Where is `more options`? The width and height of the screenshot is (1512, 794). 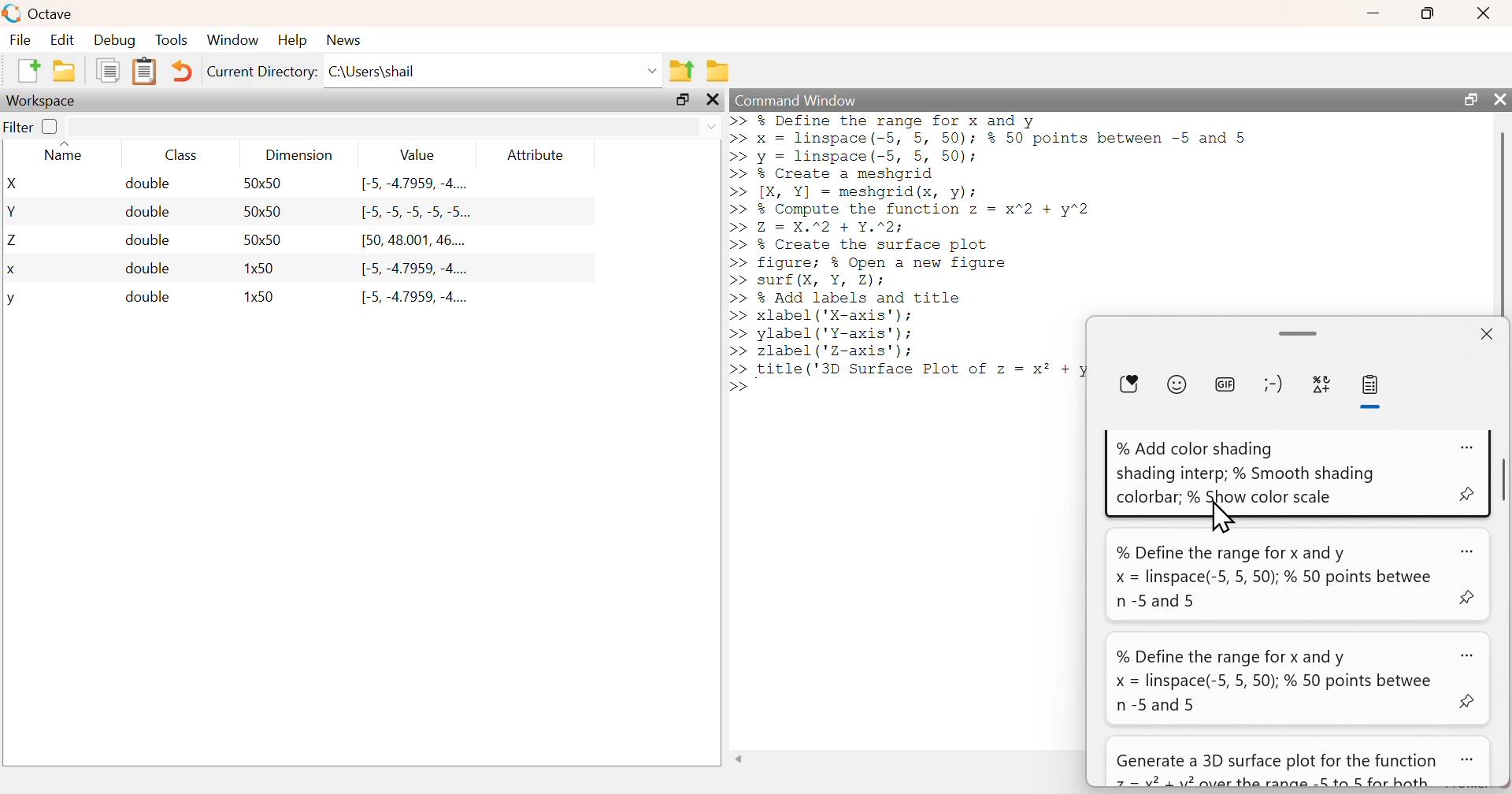
more options is located at coordinates (1469, 554).